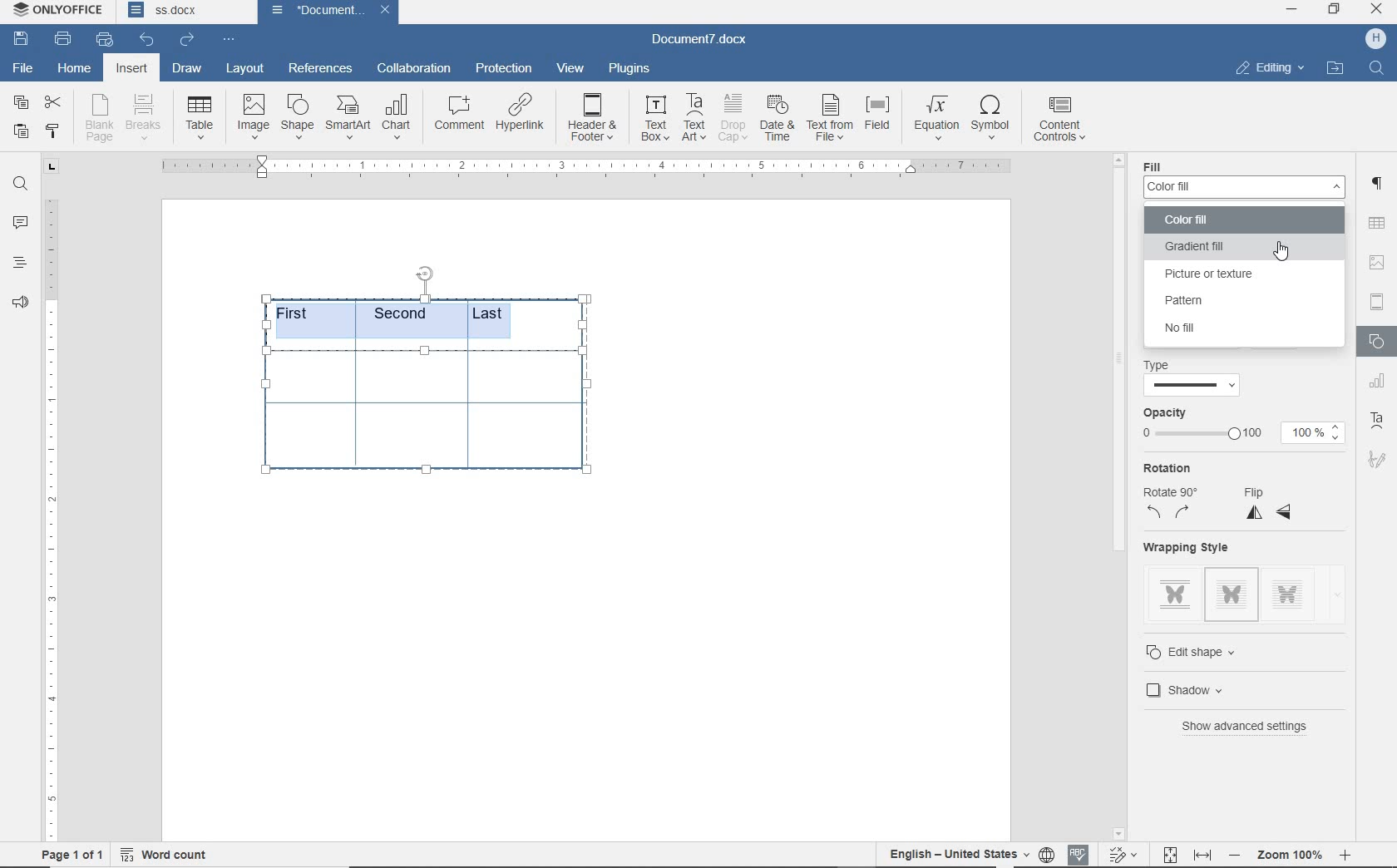  What do you see at coordinates (22, 223) in the screenshot?
I see `comments` at bounding box center [22, 223].